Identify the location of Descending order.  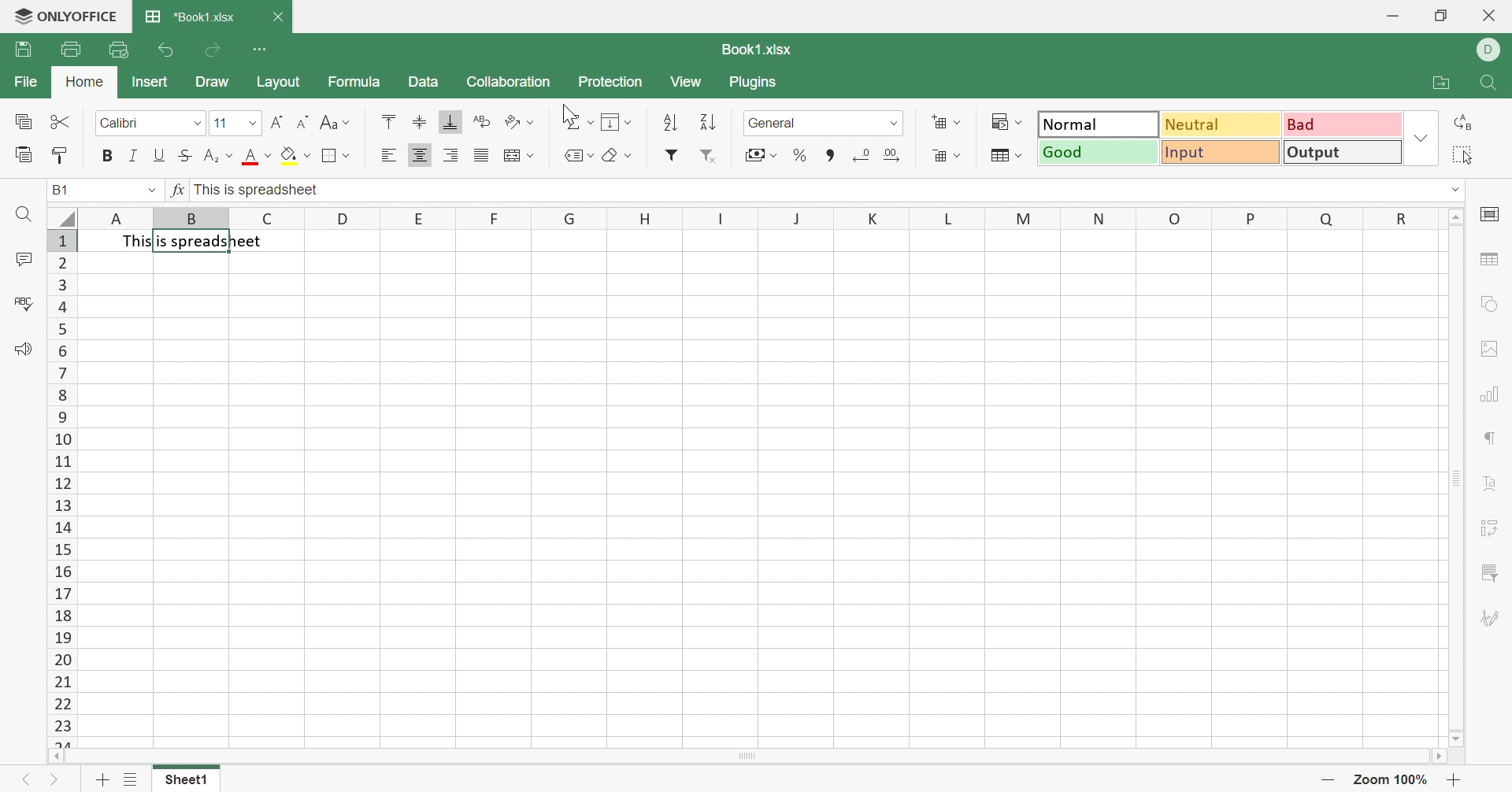
(706, 120).